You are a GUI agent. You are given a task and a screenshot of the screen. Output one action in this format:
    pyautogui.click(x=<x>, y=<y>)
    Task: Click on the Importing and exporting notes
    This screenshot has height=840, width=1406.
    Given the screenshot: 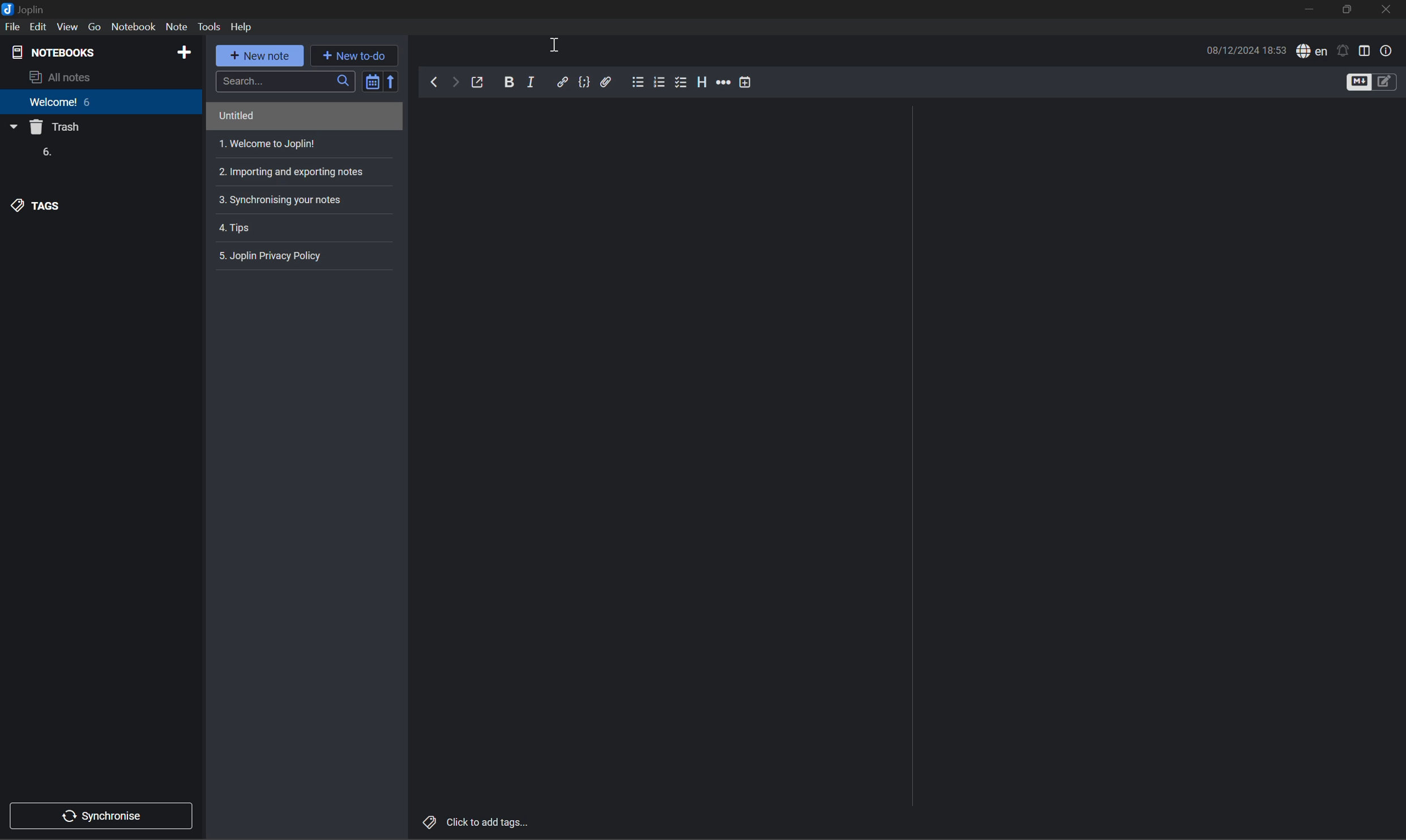 What is the action you would take?
    pyautogui.click(x=296, y=171)
    